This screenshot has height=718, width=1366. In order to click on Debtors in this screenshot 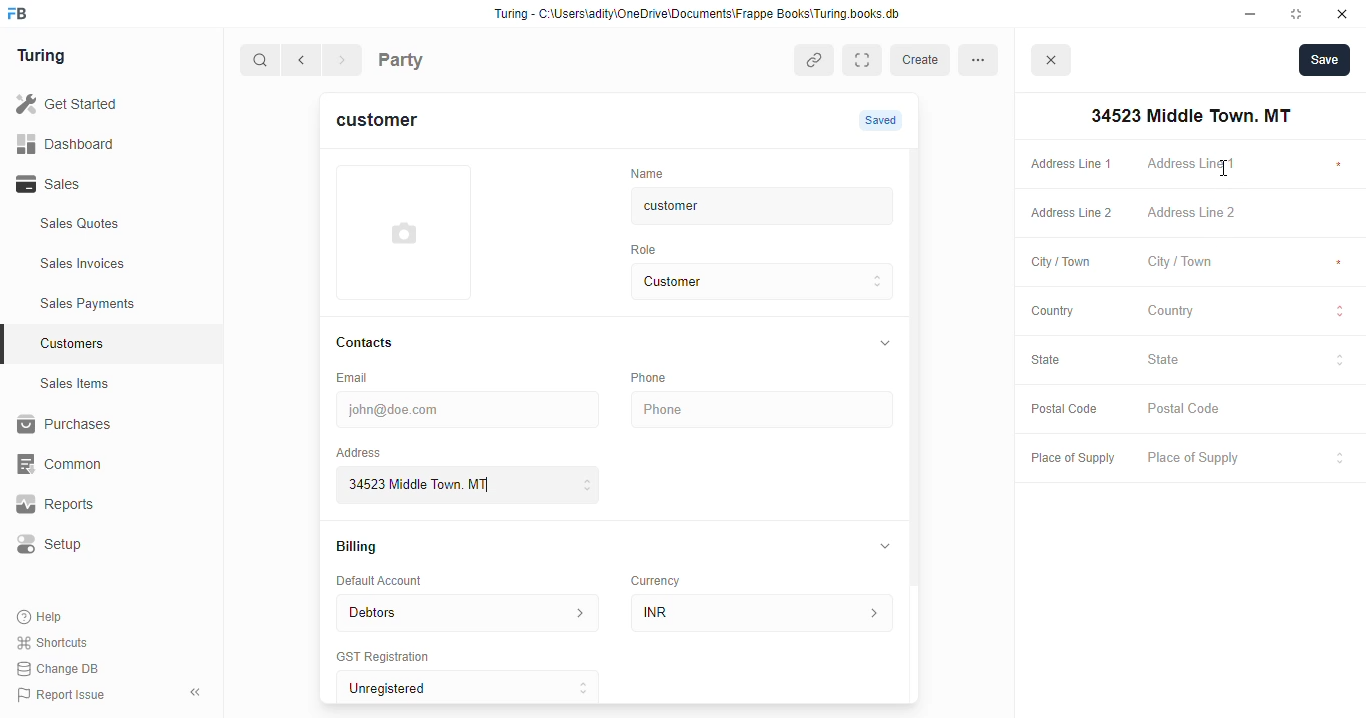, I will do `click(467, 611)`.